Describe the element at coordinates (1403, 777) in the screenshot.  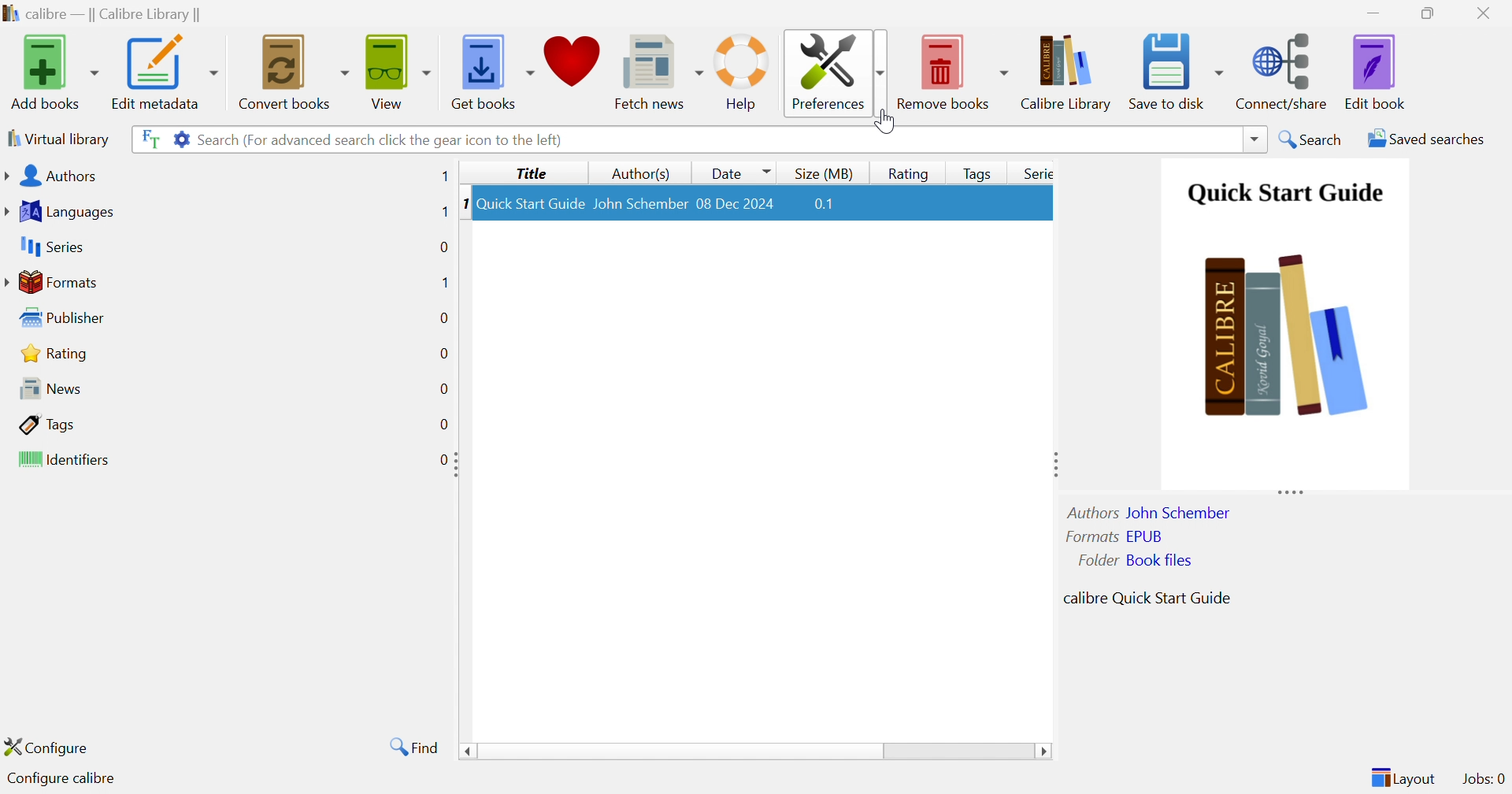
I see `Layout:0` at that location.